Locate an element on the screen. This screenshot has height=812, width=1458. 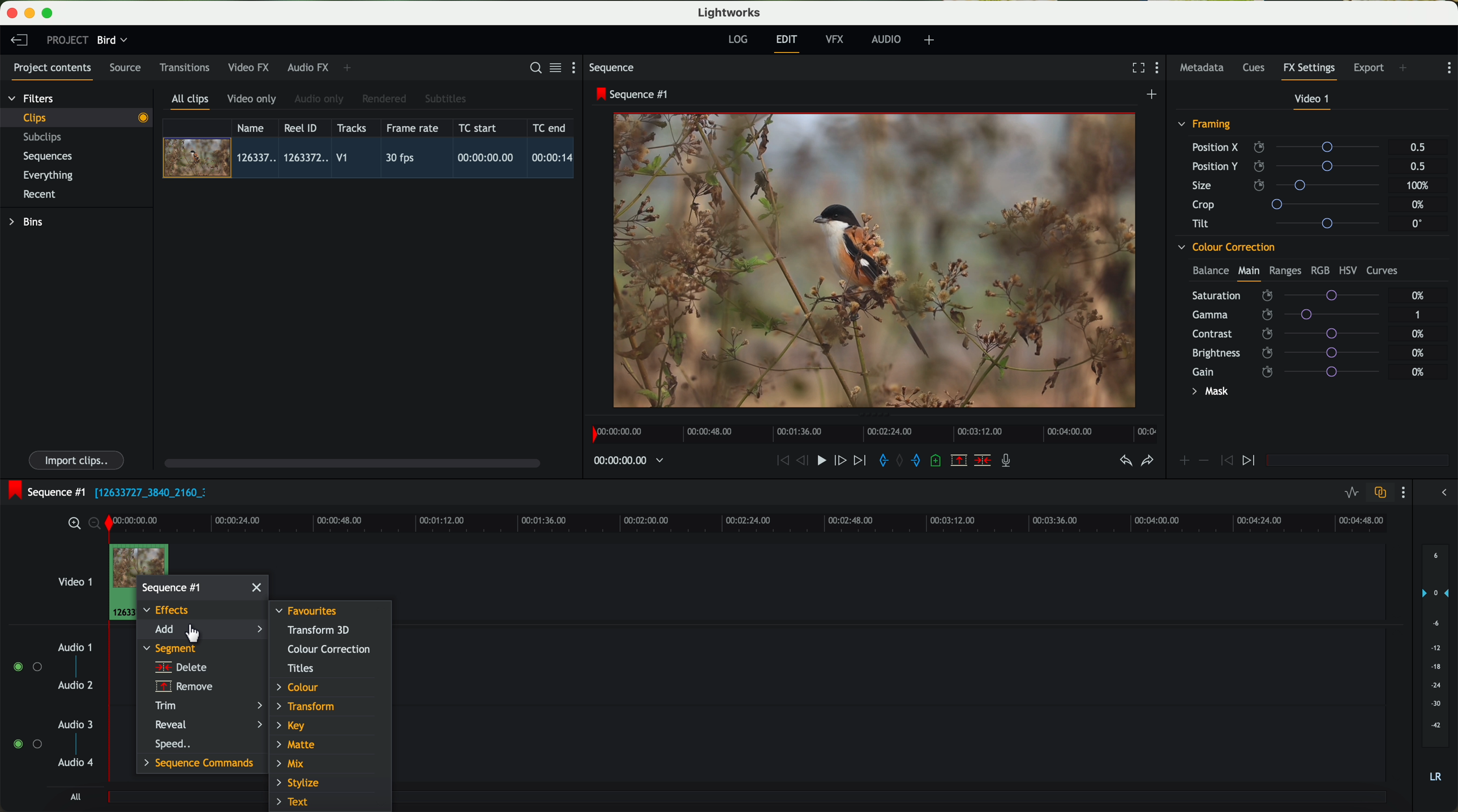
toggle audio levels editing is located at coordinates (1351, 494).